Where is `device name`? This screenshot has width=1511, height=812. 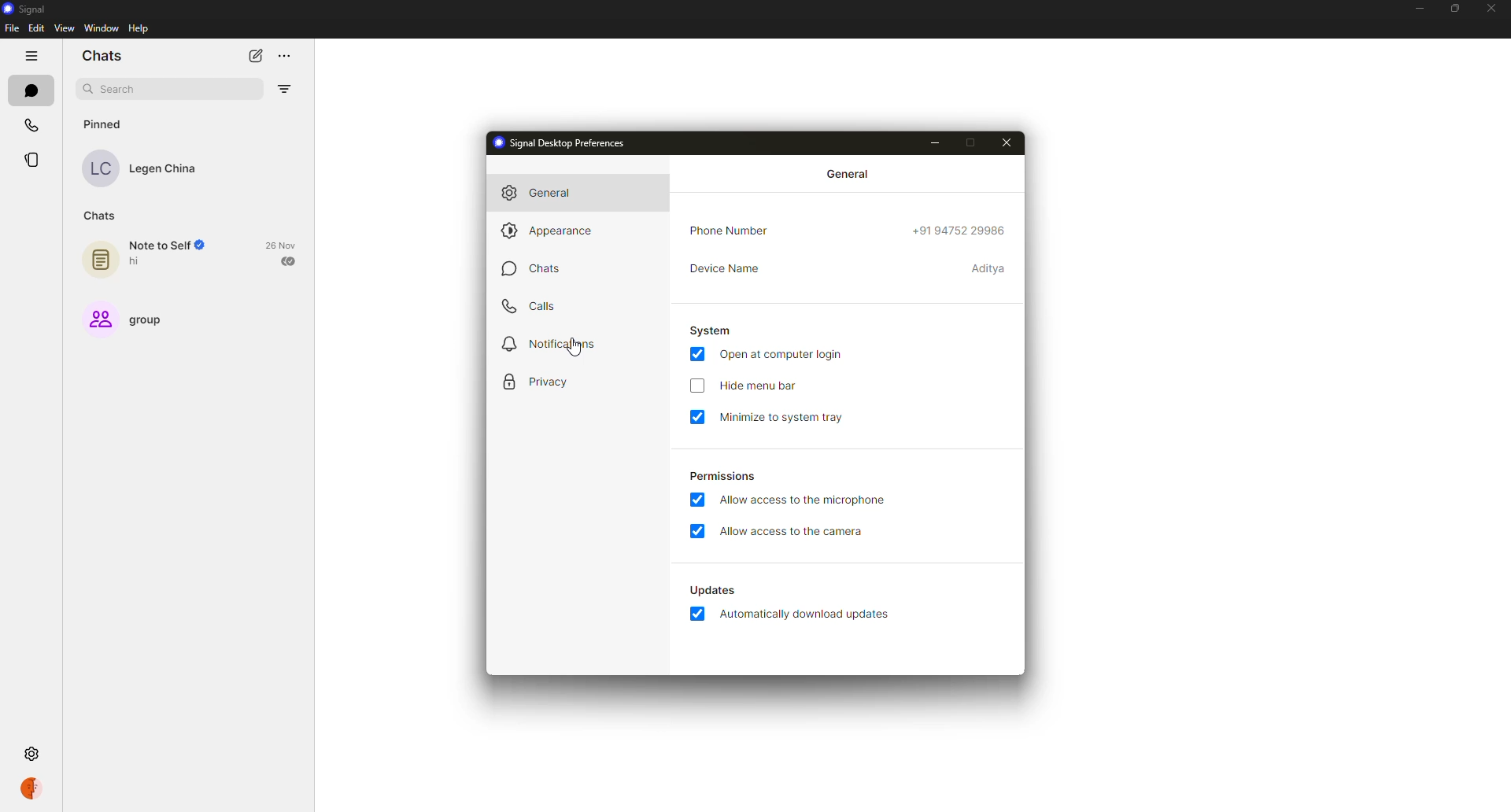
device name is located at coordinates (728, 268).